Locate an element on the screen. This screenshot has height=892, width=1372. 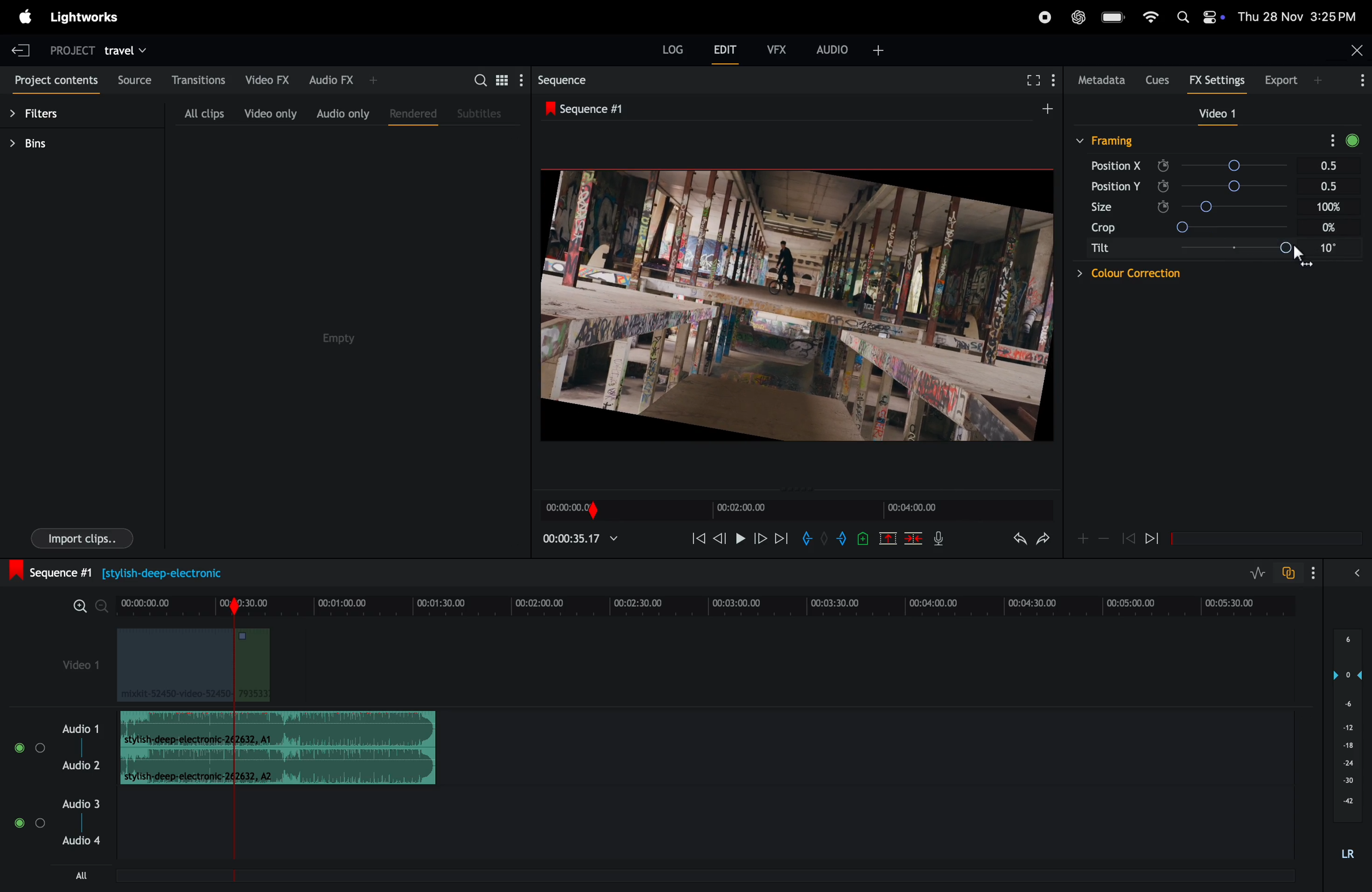
chatgpt is located at coordinates (1078, 17).